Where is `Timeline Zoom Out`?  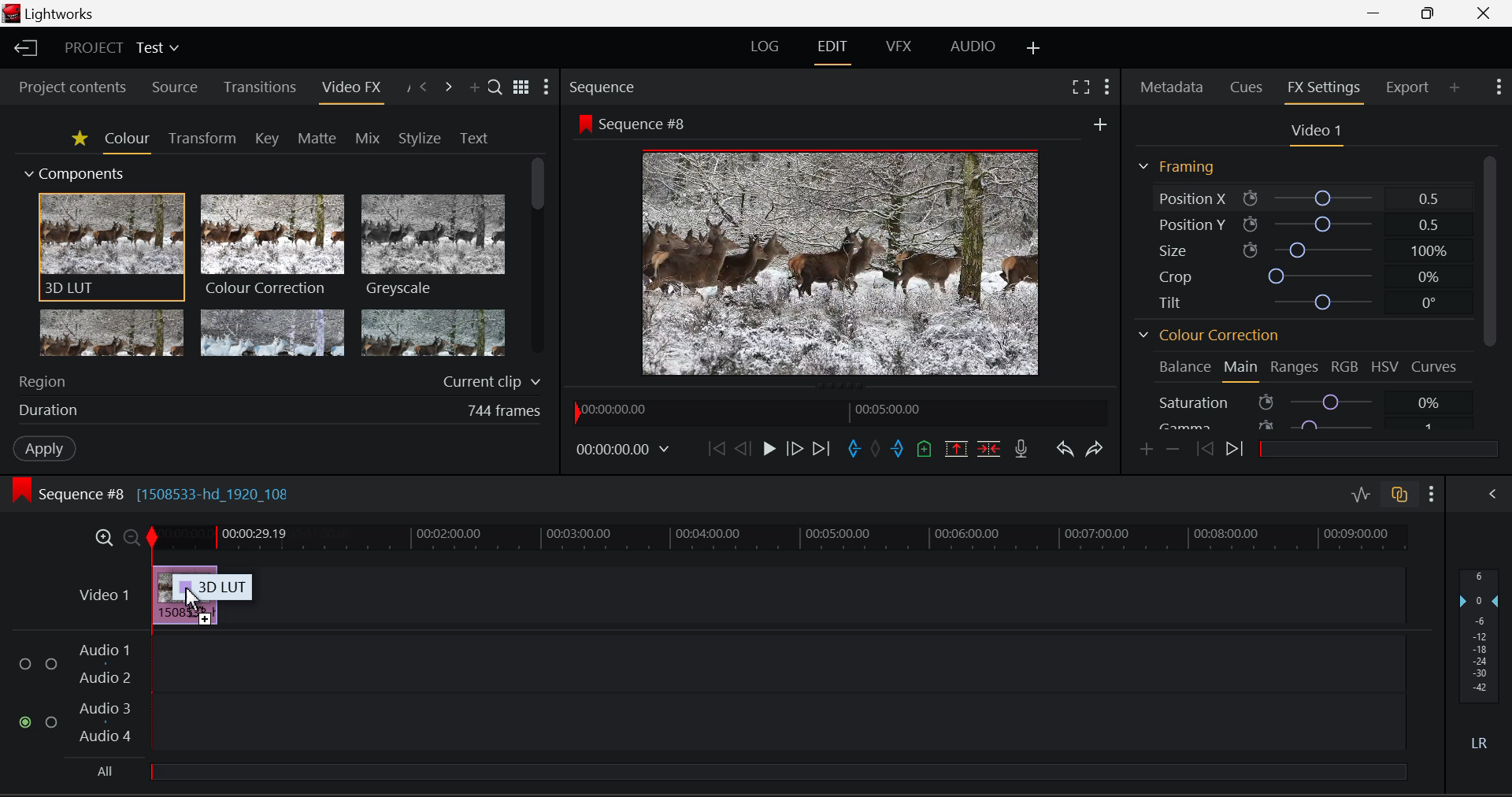 Timeline Zoom Out is located at coordinates (131, 537).